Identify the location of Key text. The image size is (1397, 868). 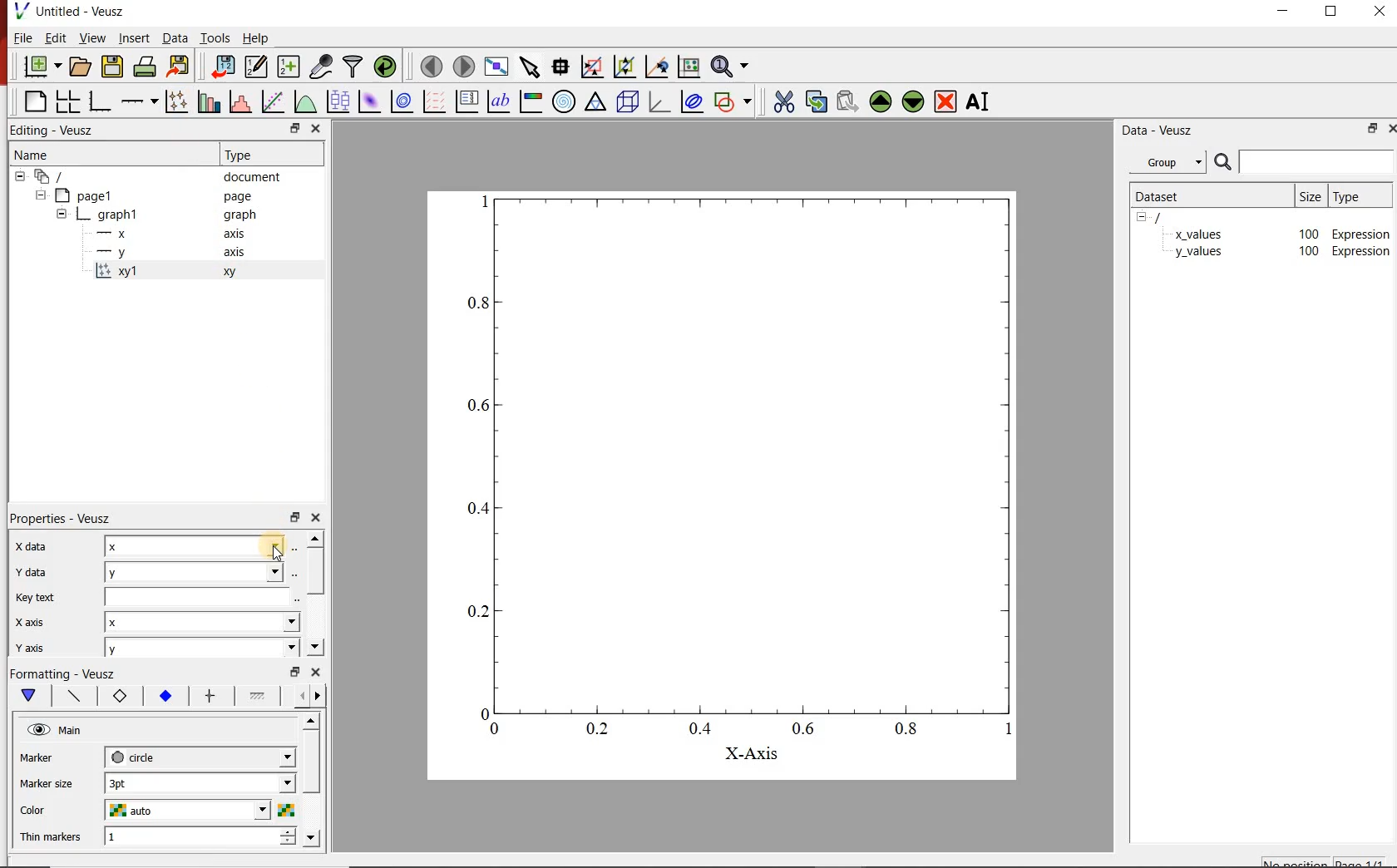
(37, 597).